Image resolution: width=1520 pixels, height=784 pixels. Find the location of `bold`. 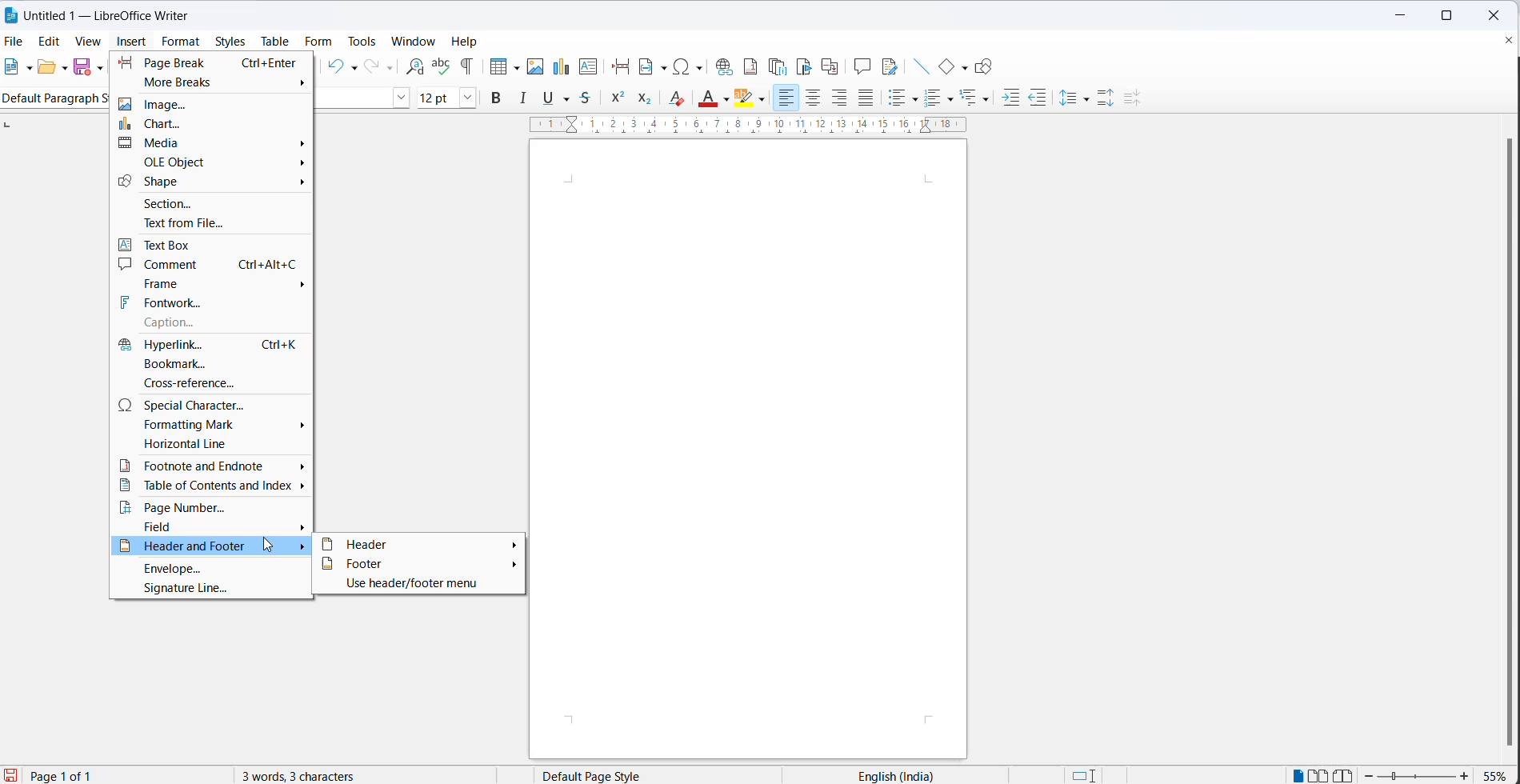

bold is located at coordinates (499, 98).